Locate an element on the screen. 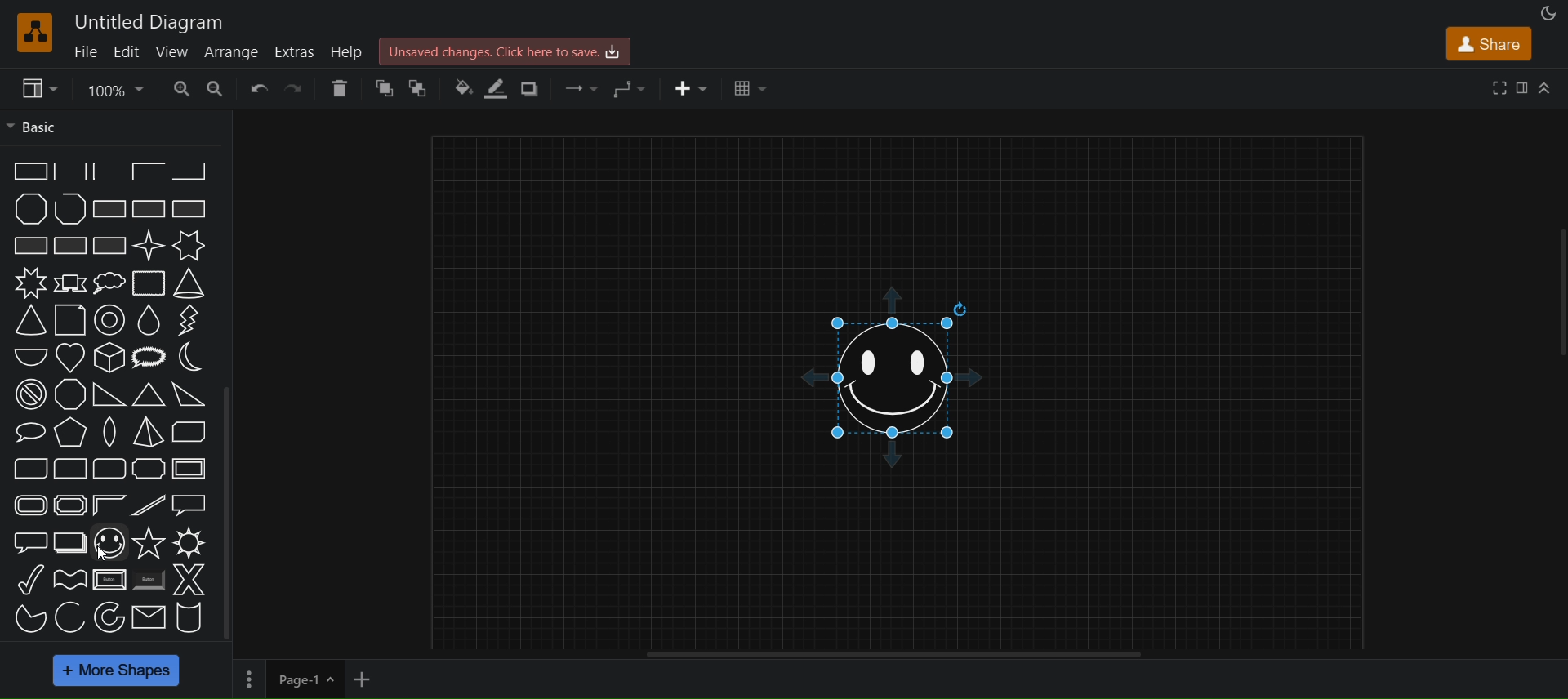 The image size is (1568, 699). moon is located at coordinates (189, 358).